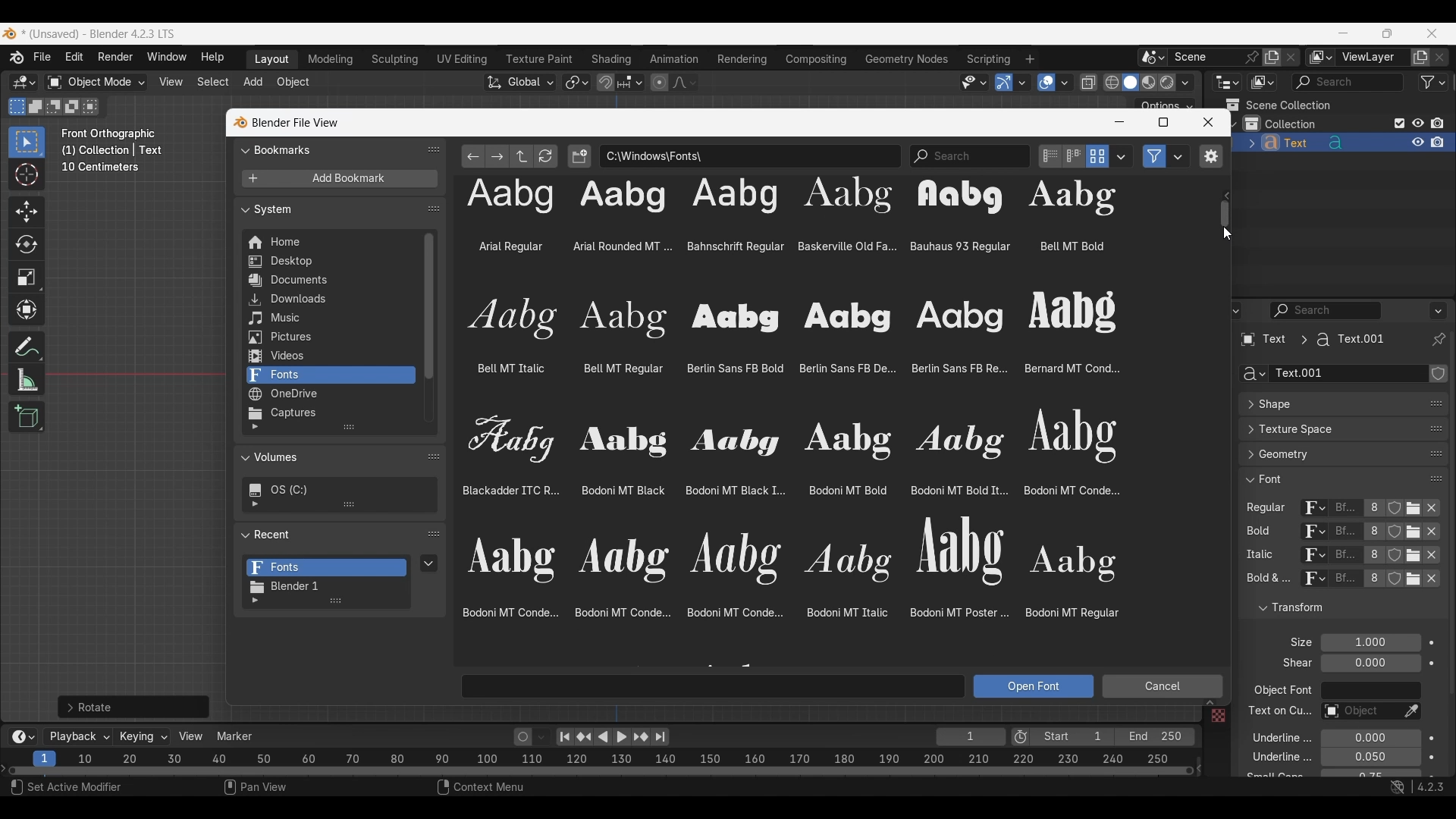 The image size is (1456, 819). Describe the element at coordinates (1154, 156) in the screenshot. I see `Filter files` at that location.